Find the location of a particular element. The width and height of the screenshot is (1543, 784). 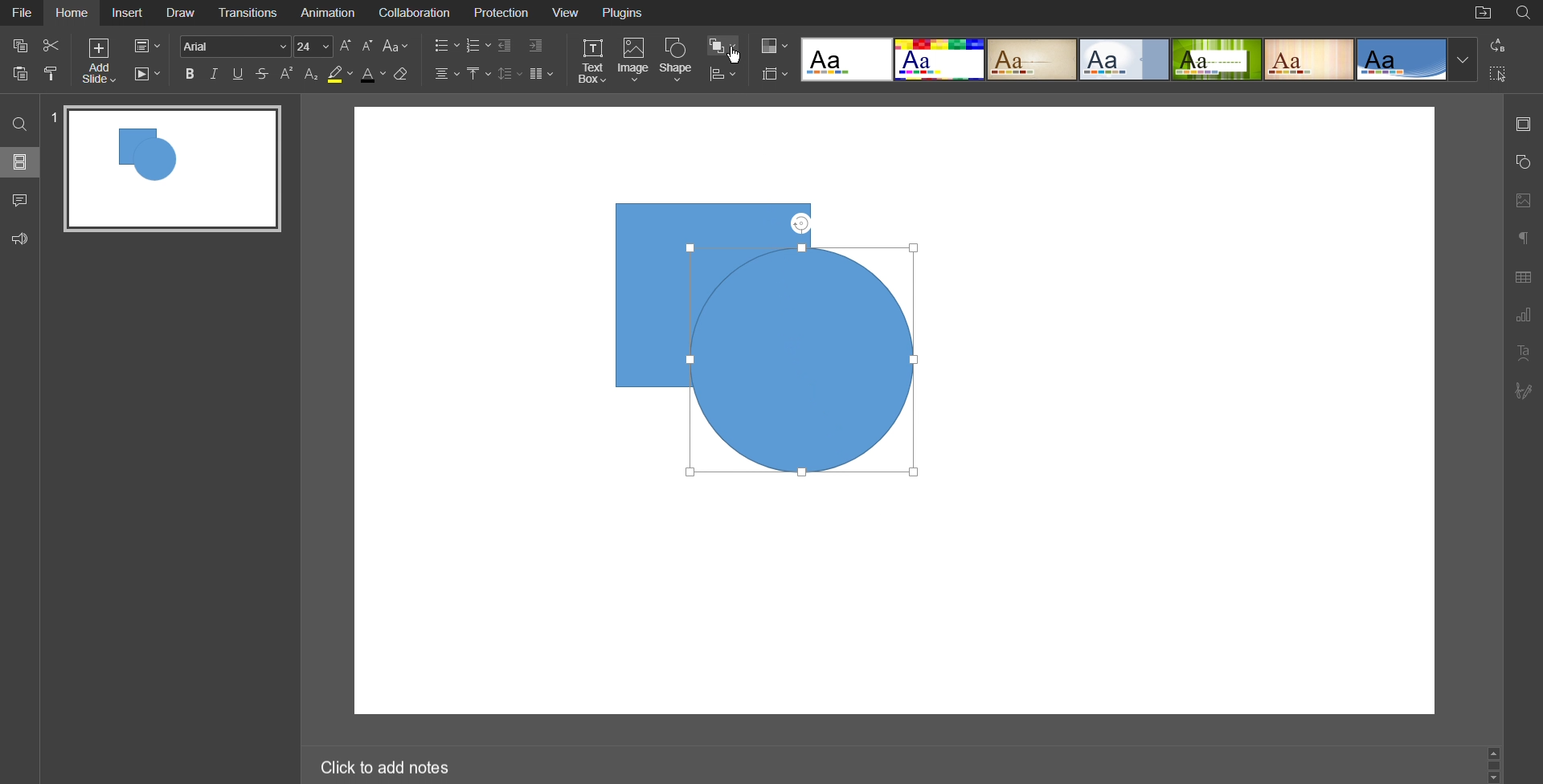

Decrease Font is located at coordinates (366, 46).